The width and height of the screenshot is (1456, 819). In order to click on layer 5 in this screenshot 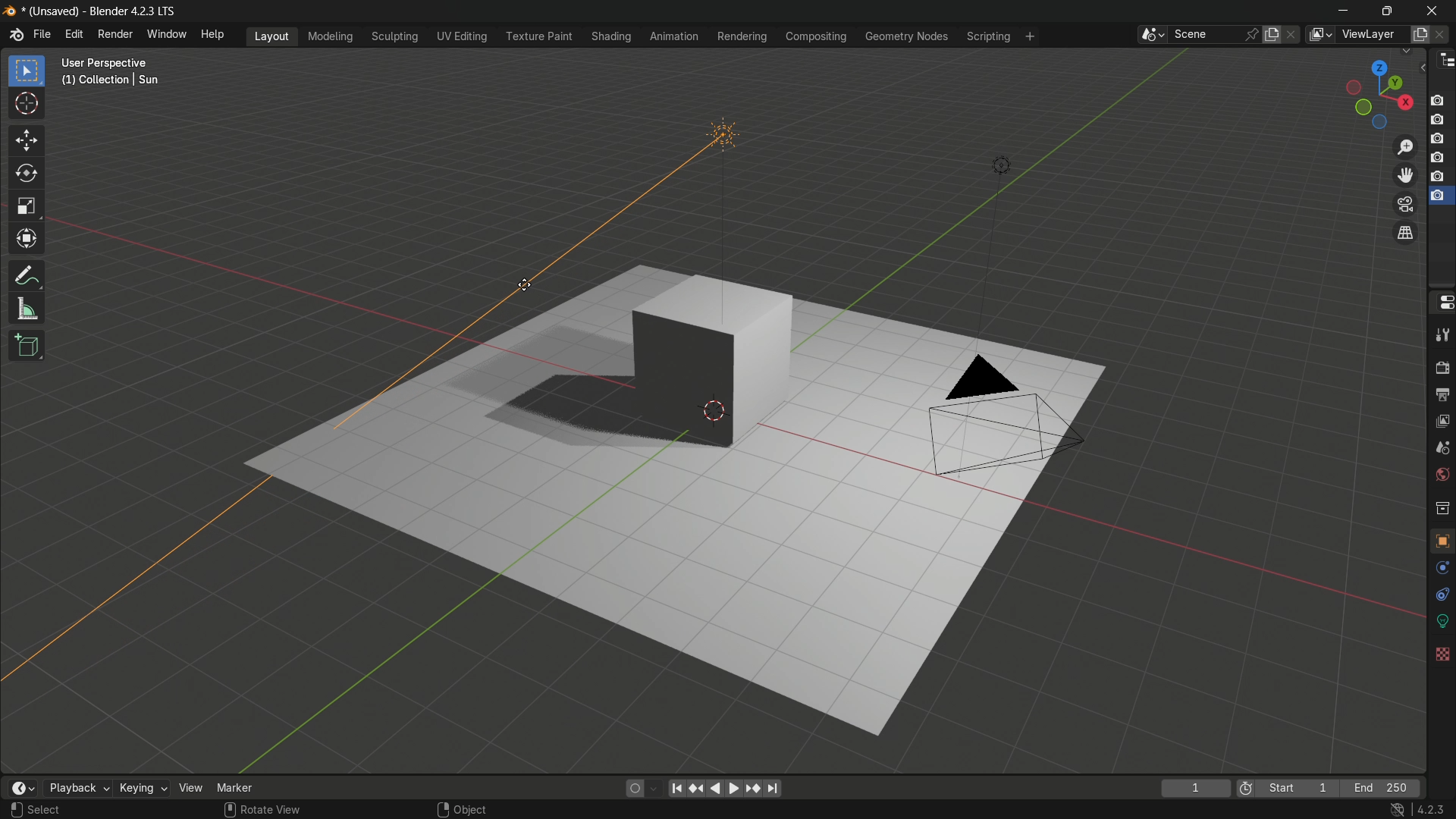, I will do `click(1437, 177)`.